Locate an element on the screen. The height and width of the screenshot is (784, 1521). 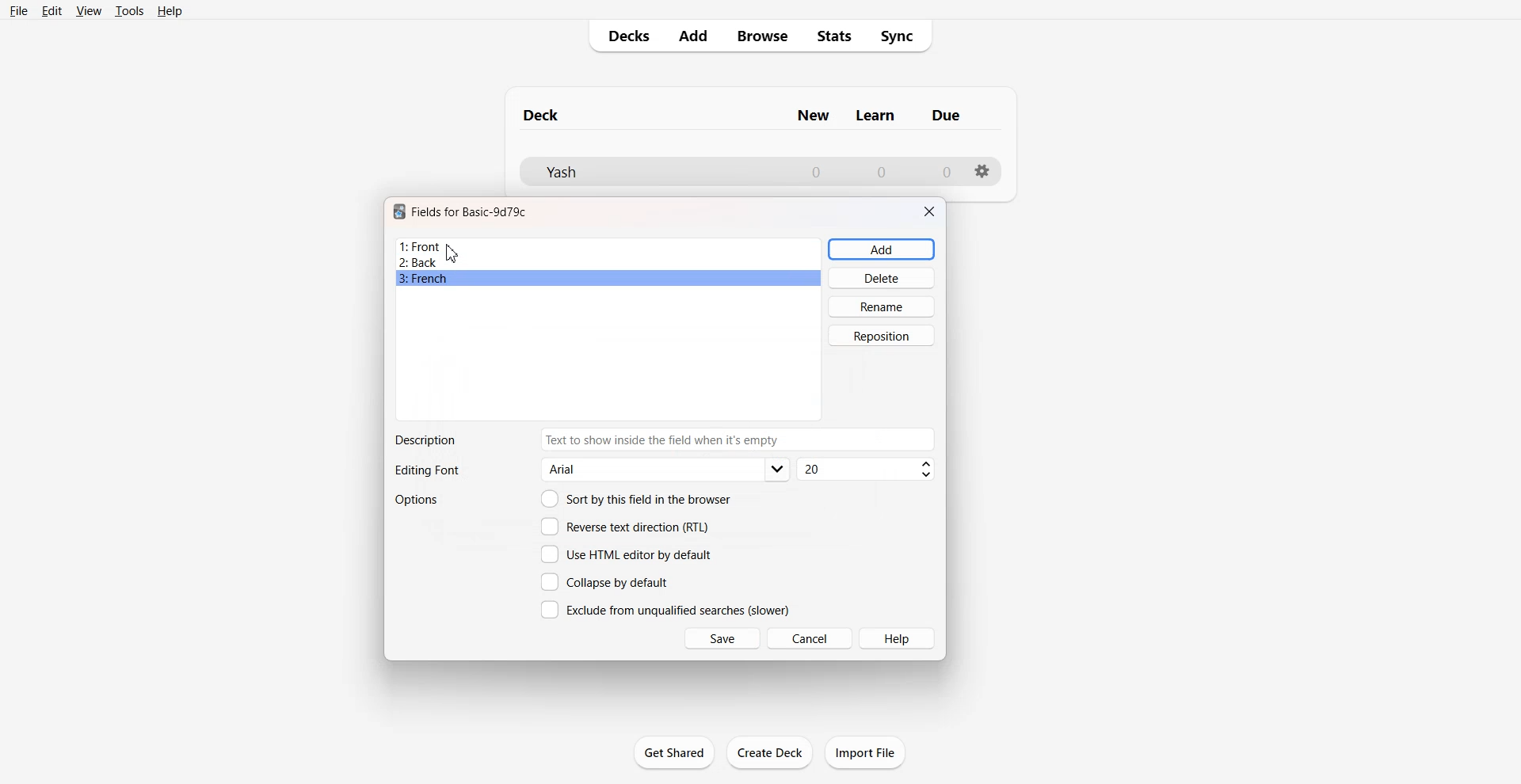
Use HTML editor by default is located at coordinates (626, 554).